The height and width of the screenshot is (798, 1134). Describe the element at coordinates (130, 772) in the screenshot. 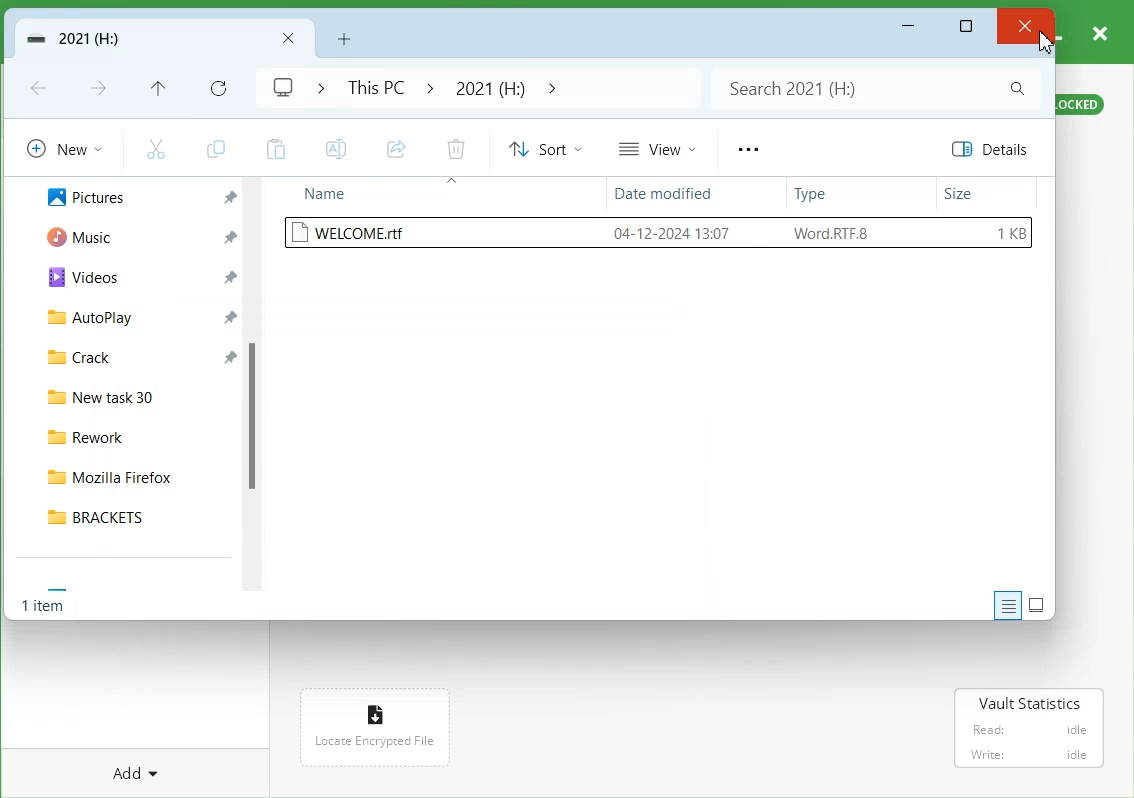

I see `Add` at that location.